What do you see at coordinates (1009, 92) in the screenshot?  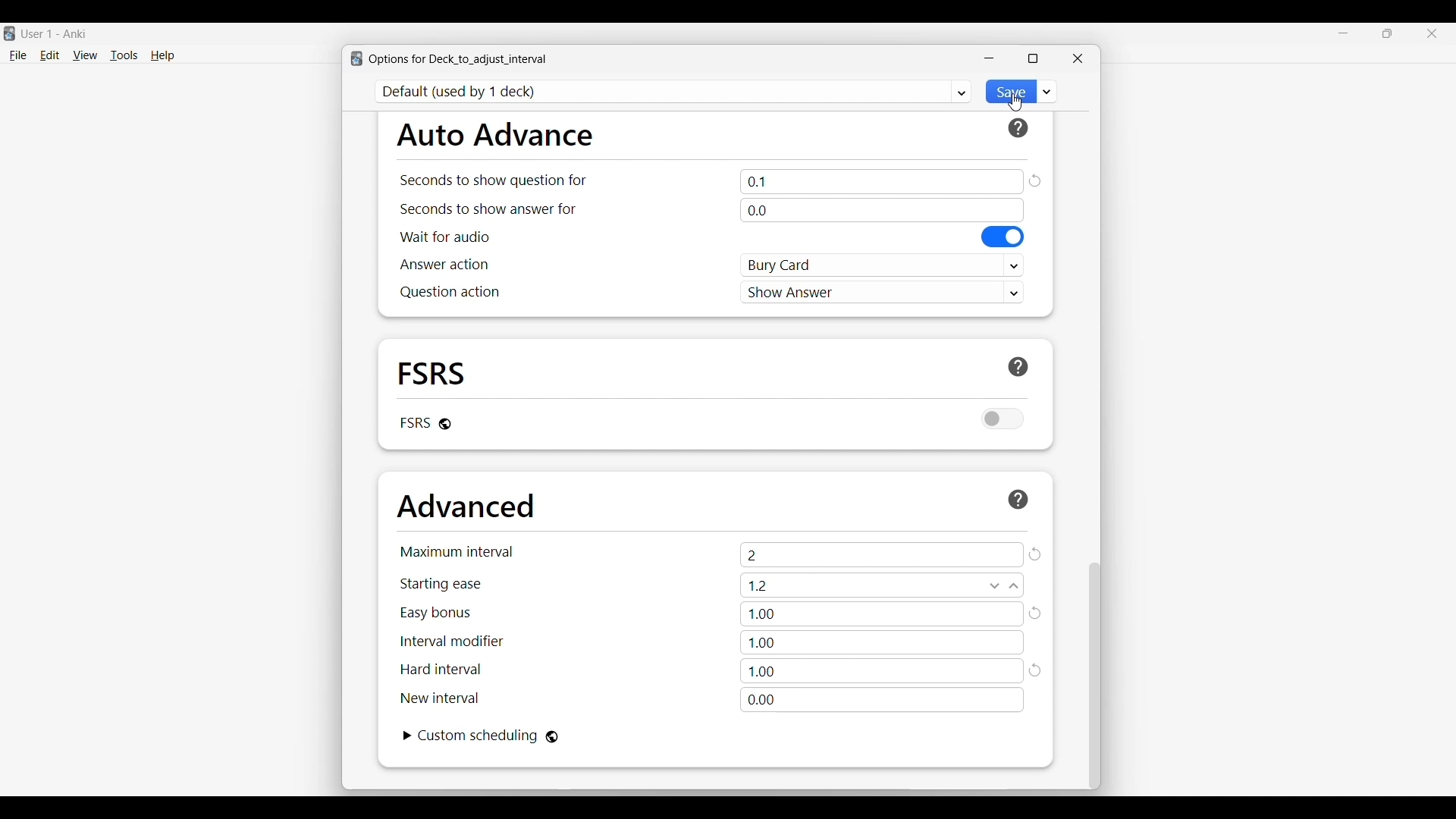 I see `Click to save` at bounding box center [1009, 92].